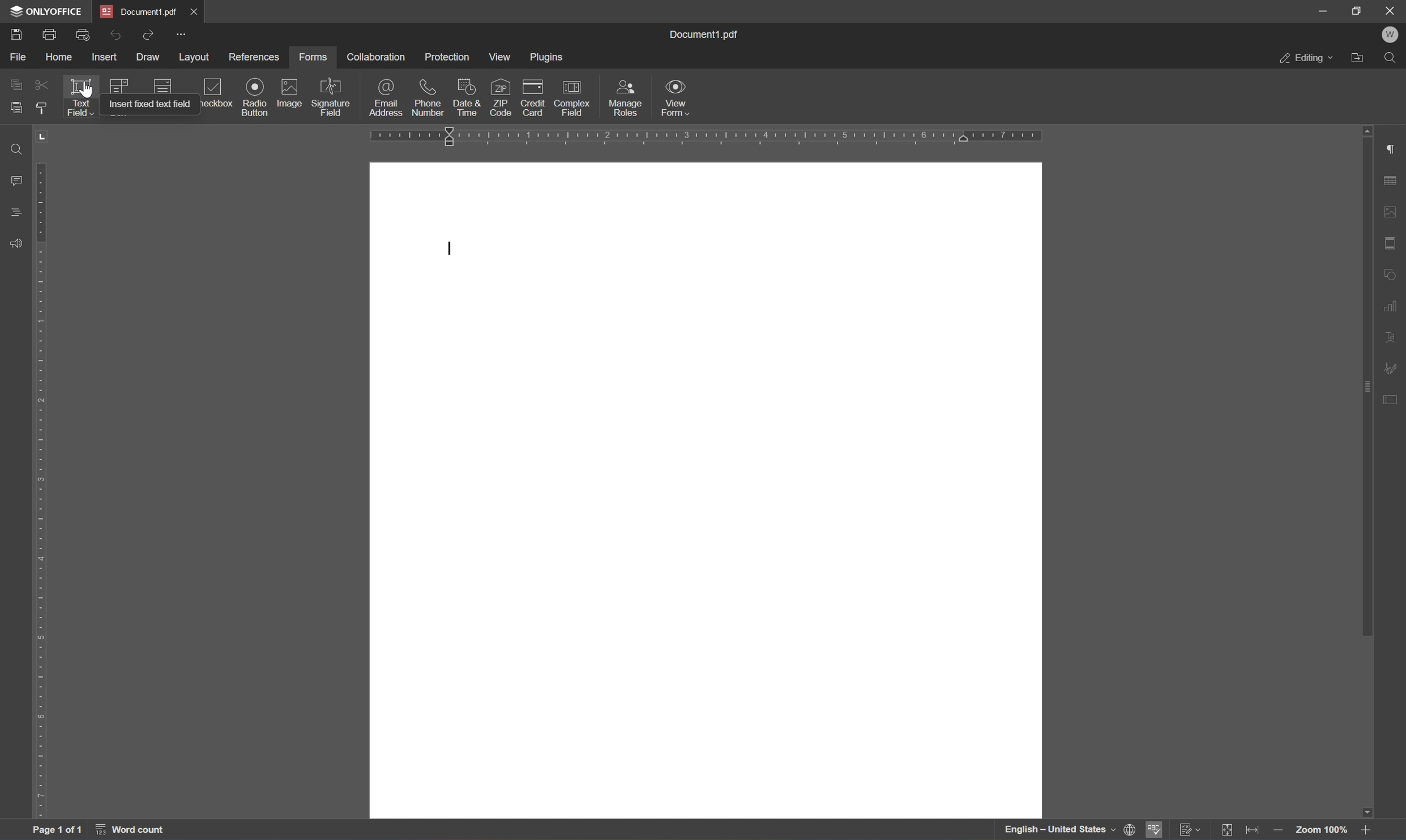 This screenshot has height=840, width=1406. I want to click on paragraph settings, so click(1395, 147).